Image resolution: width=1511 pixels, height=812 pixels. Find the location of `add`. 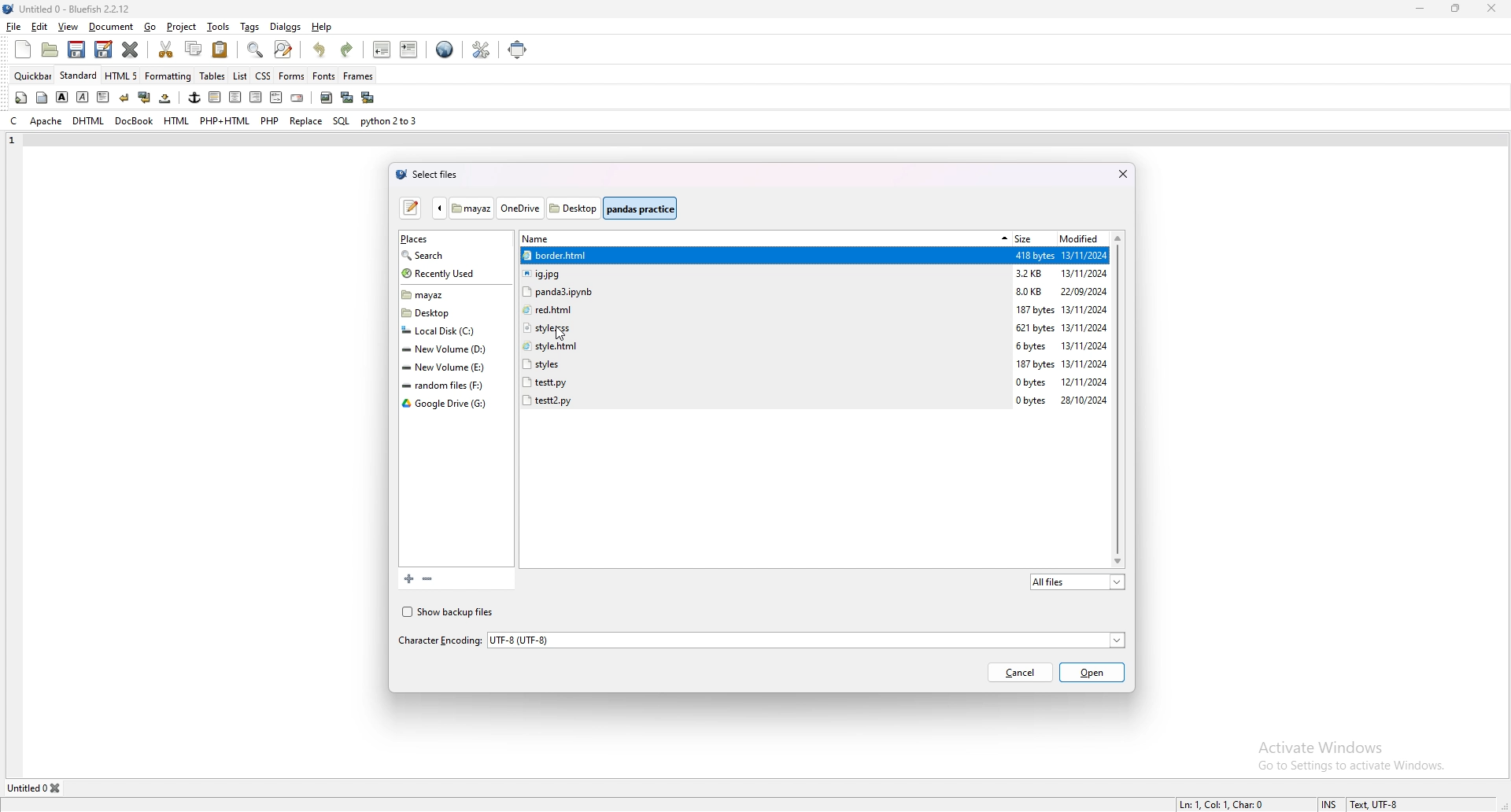

add is located at coordinates (405, 578).